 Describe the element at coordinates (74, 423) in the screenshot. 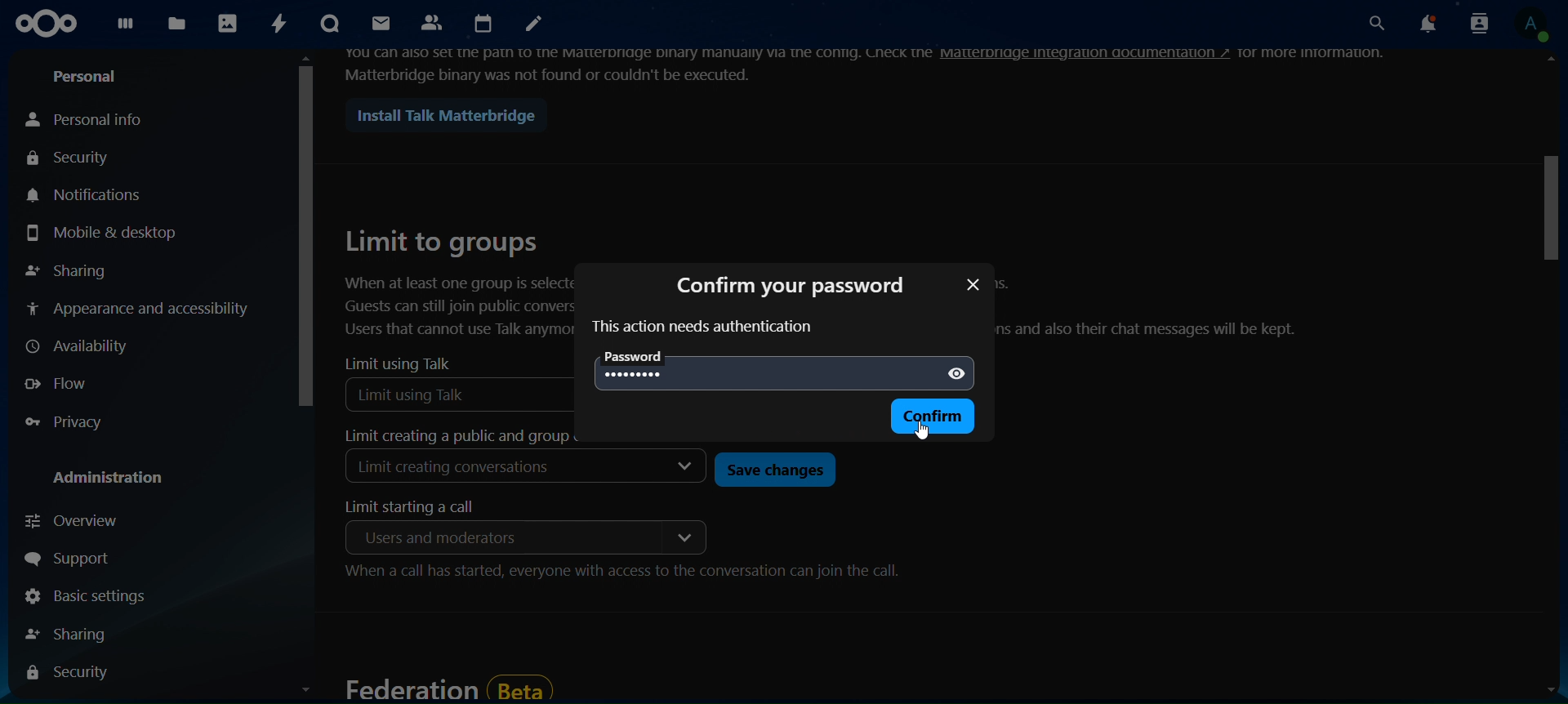

I see `privacy` at that location.